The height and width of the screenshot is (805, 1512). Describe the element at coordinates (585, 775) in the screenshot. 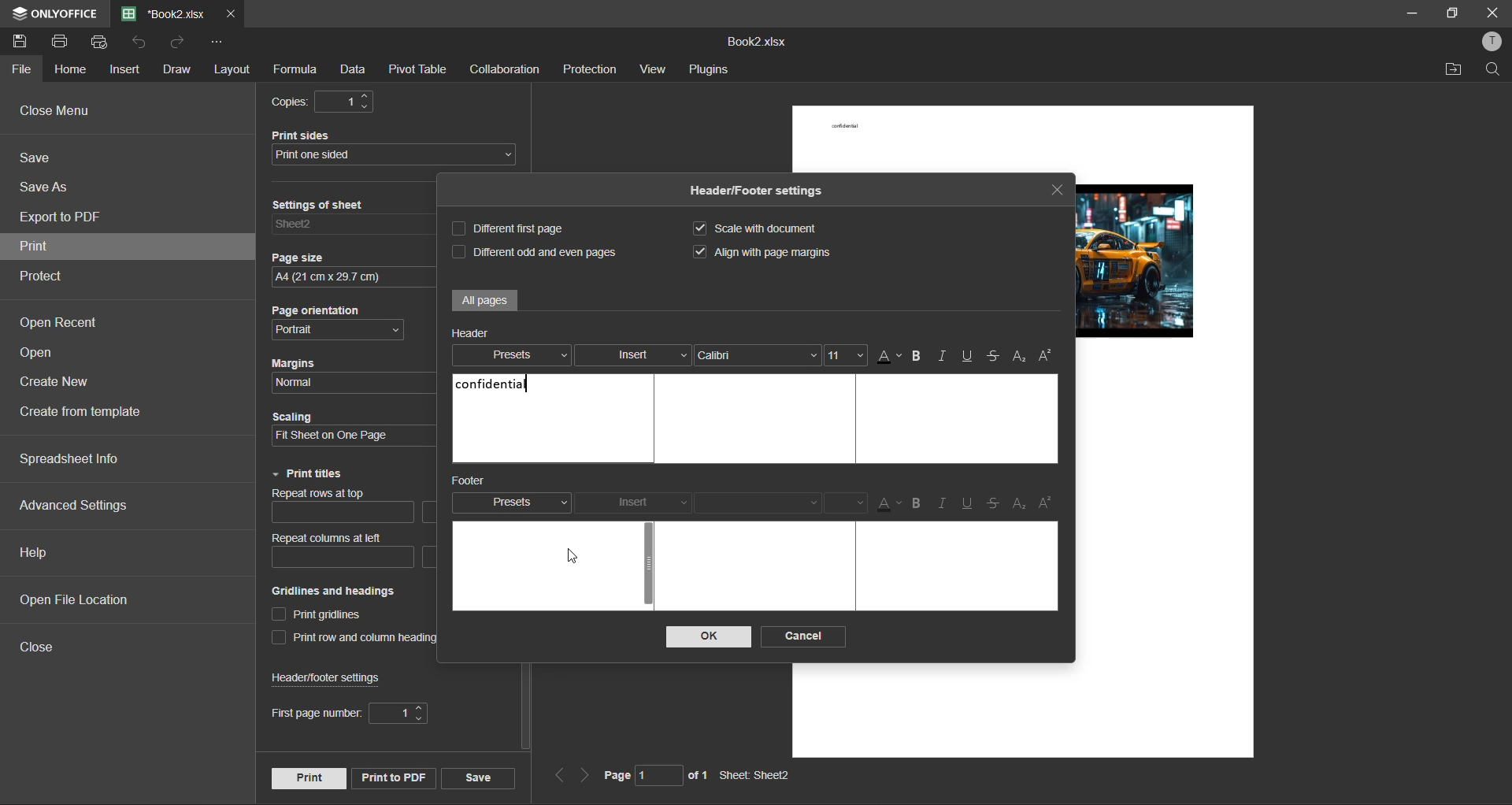

I see `next` at that location.